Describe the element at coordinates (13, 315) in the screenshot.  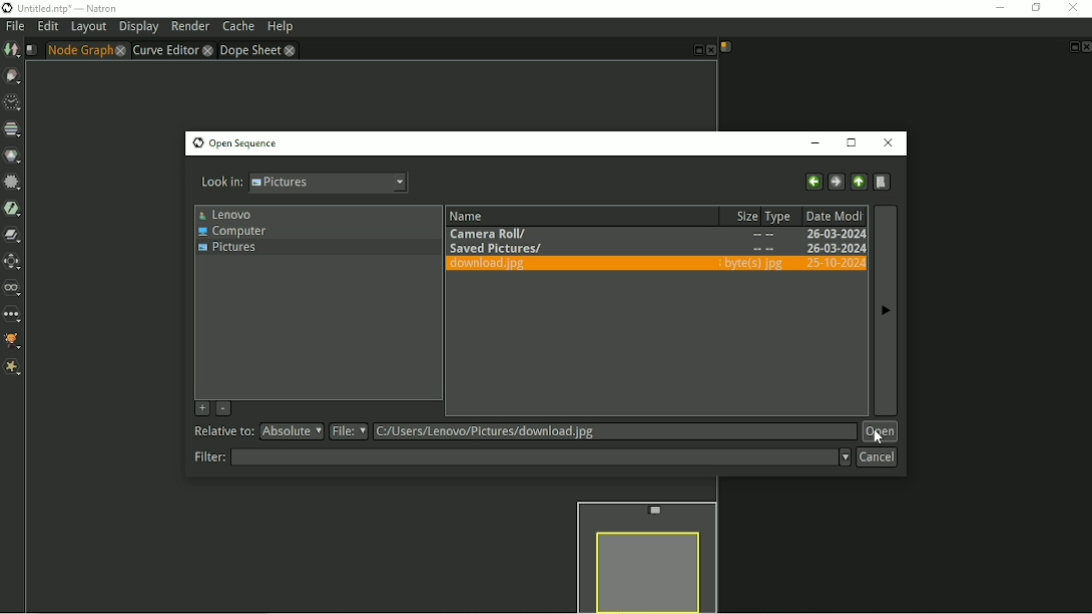
I see `Other` at that location.